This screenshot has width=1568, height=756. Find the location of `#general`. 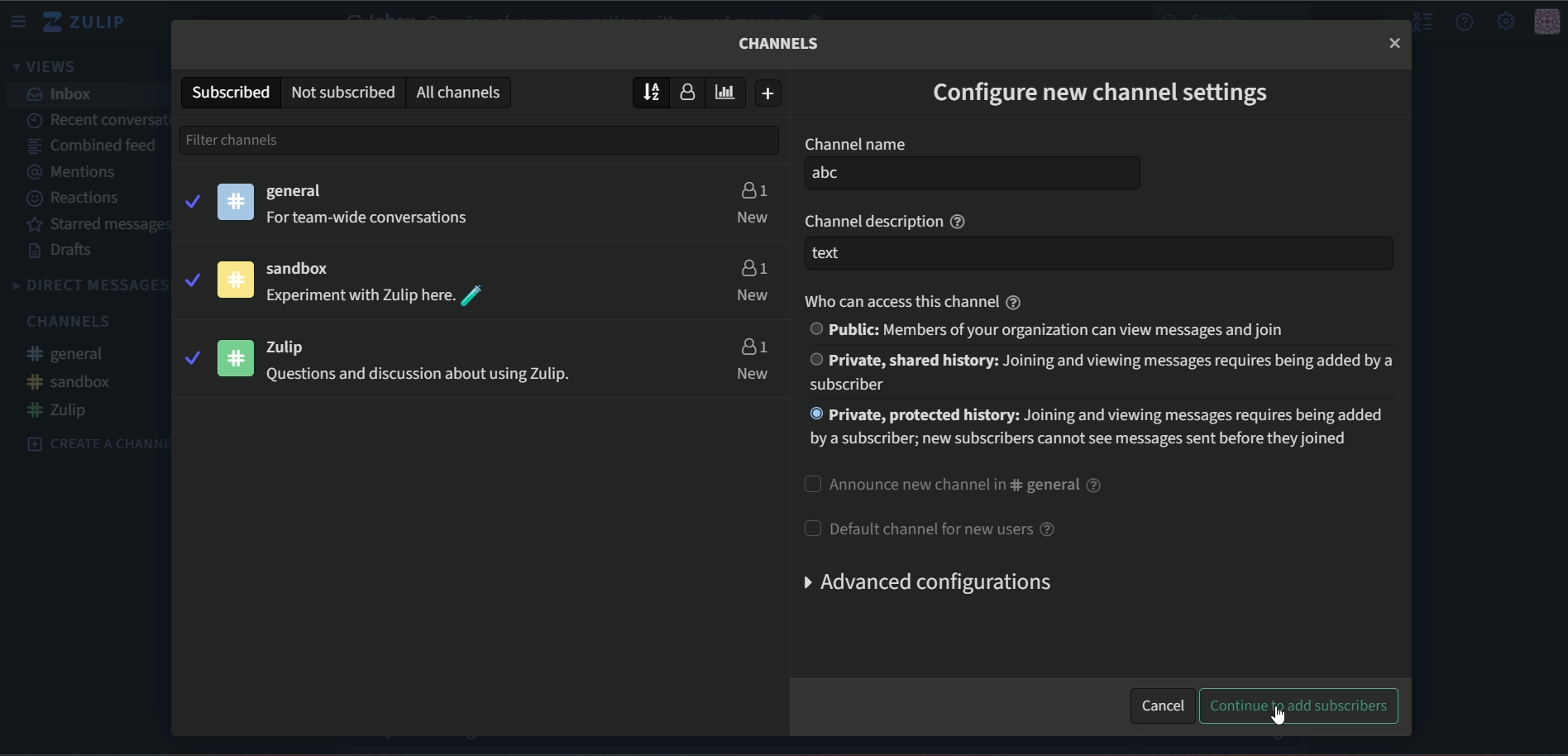

#general is located at coordinates (74, 356).